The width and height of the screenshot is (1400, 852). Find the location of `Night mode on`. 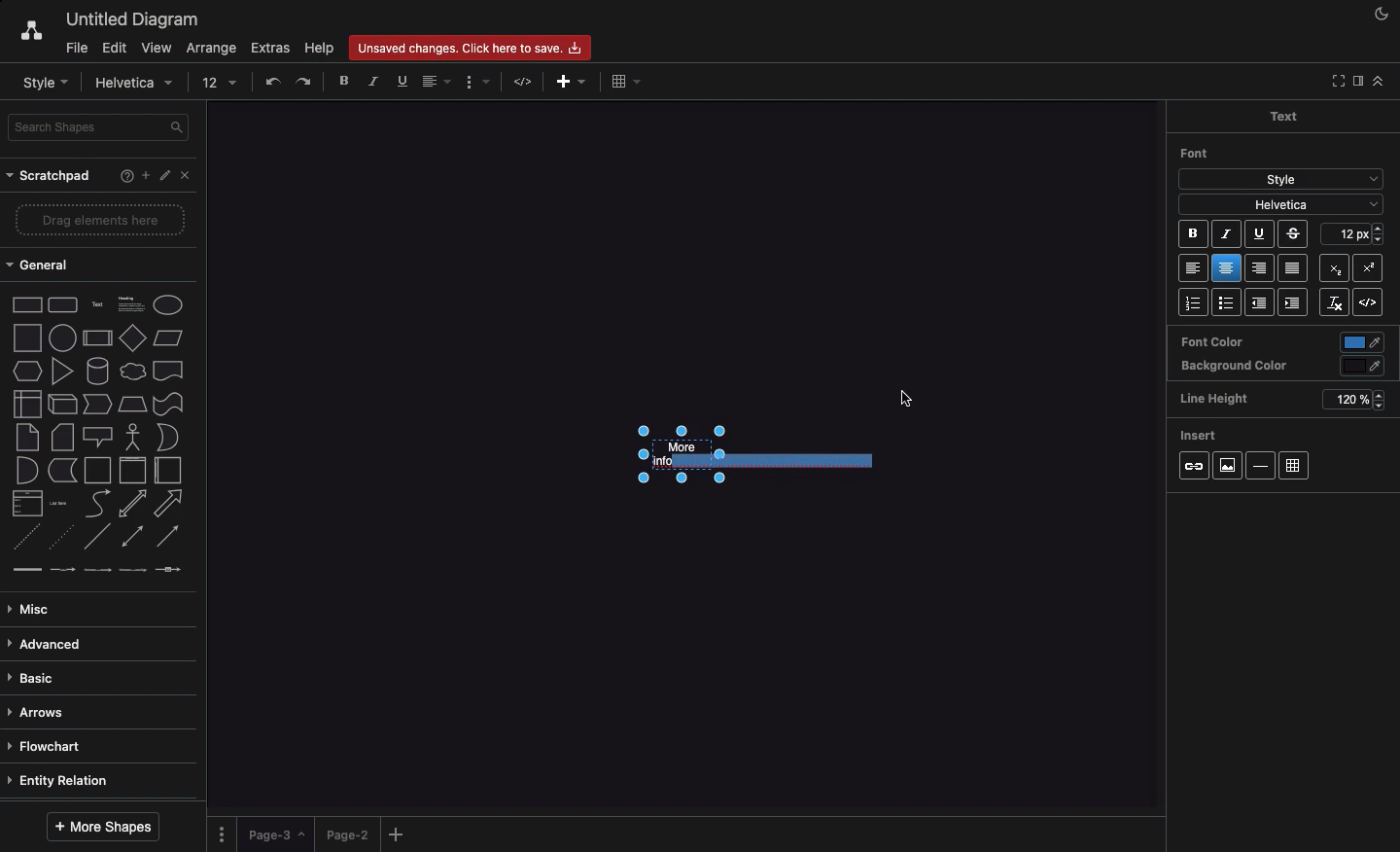

Night mode on is located at coordinates (1380, 15).